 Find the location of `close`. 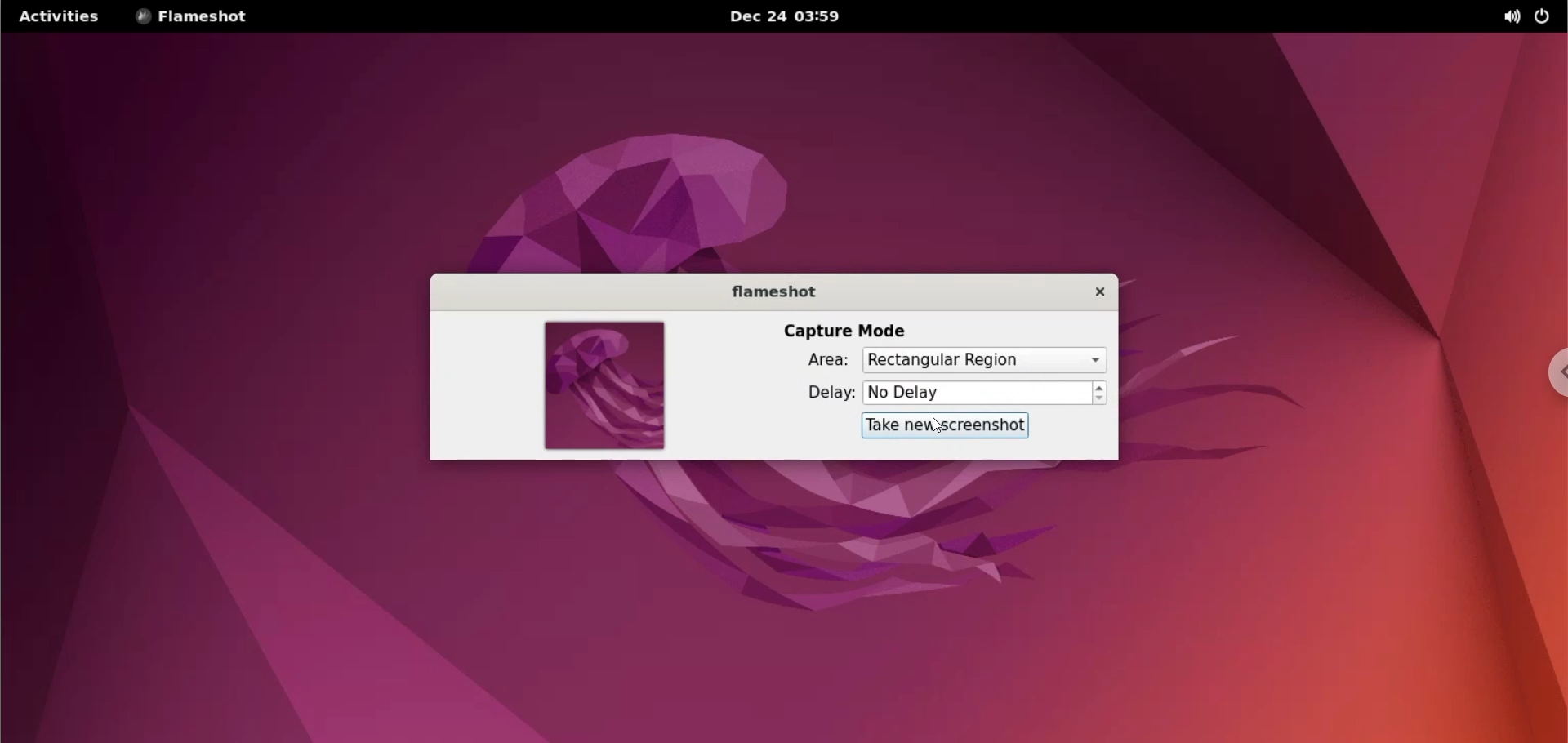

close is located at coordinates (1095, 292).